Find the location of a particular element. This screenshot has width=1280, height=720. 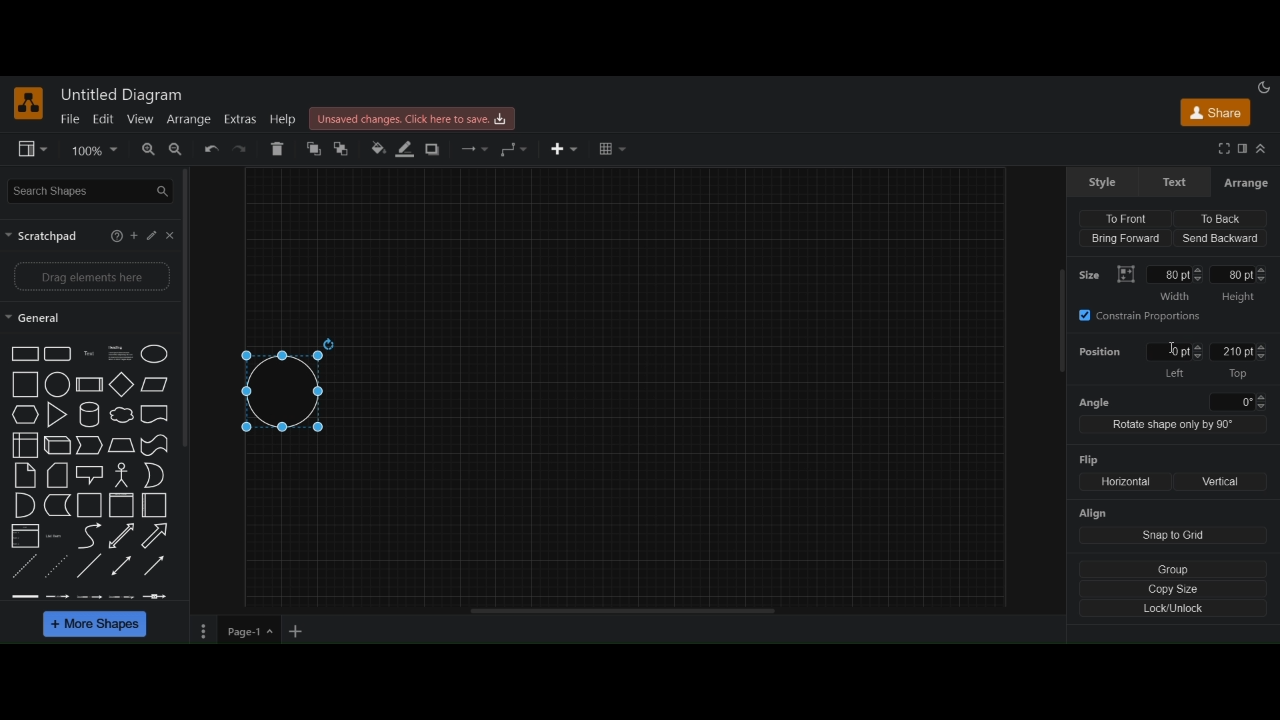

table is located at coordinates (612, 150).